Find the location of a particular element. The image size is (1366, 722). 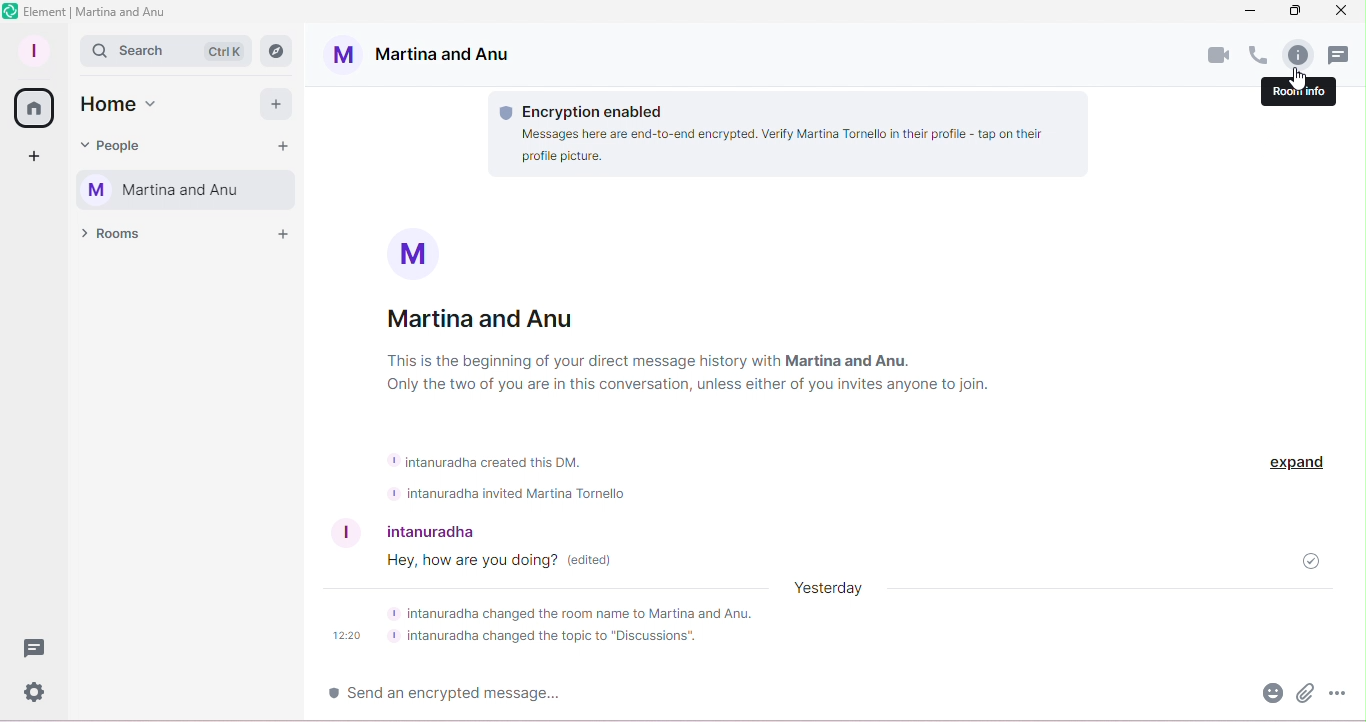

Messeges here are end-to-end encrypted. Verify Martina Tornello in their profile. tap on their profile picture is located at coordinates (799, 156).